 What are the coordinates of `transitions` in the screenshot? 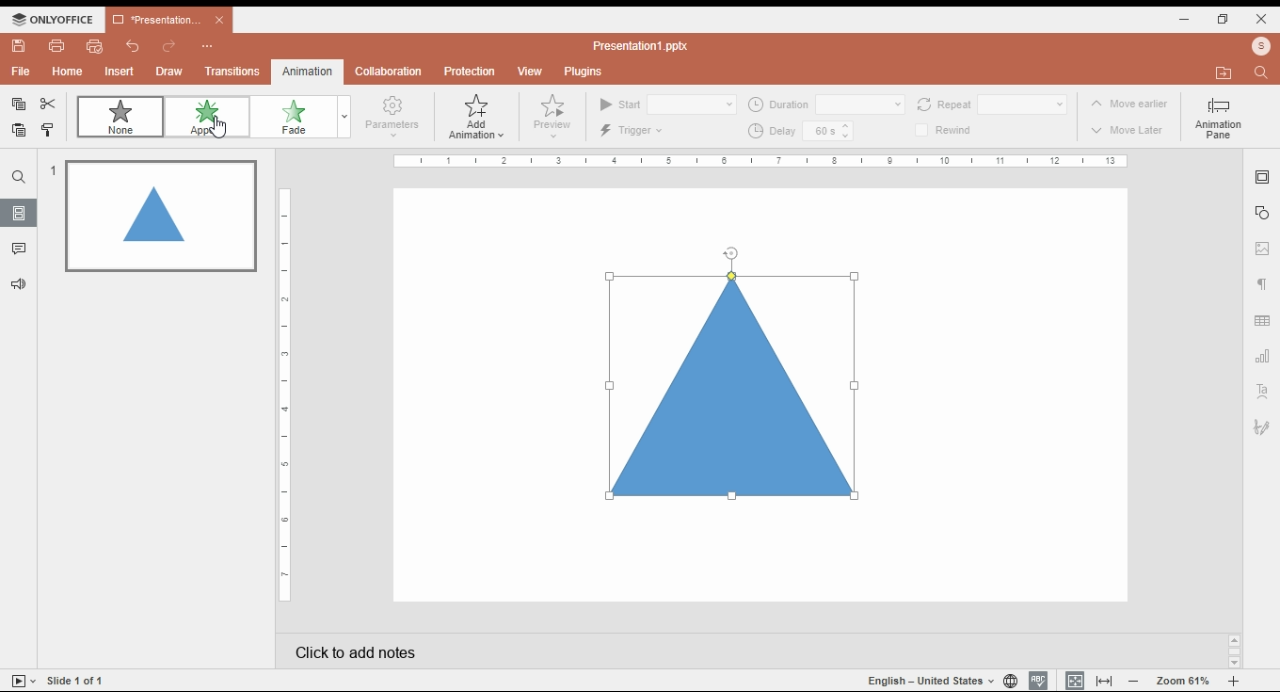 It's located at (233, 73).